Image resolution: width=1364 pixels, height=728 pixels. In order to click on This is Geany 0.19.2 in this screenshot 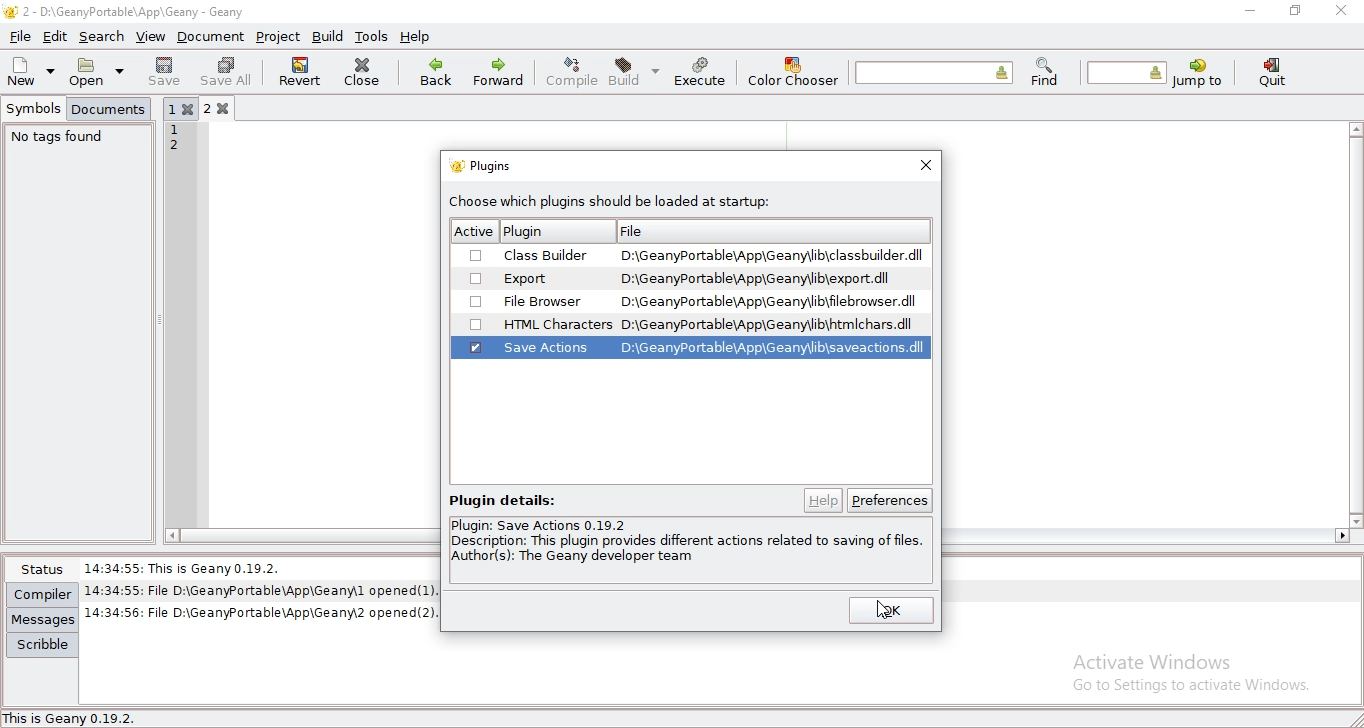, I will do `click(76, 718)`.